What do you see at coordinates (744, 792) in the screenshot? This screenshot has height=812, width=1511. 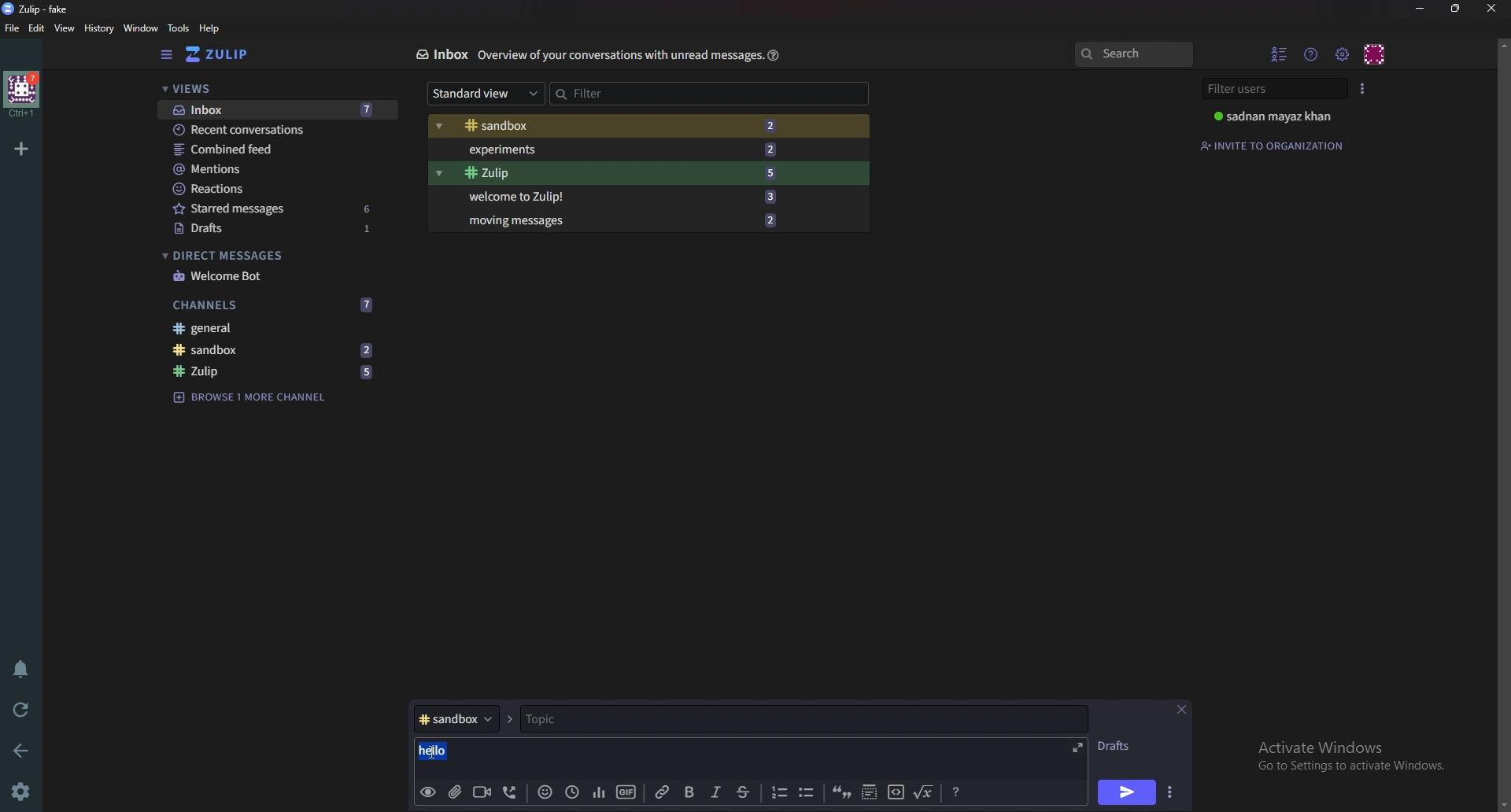 I see `Strike through` at bounding box center [744, 792].